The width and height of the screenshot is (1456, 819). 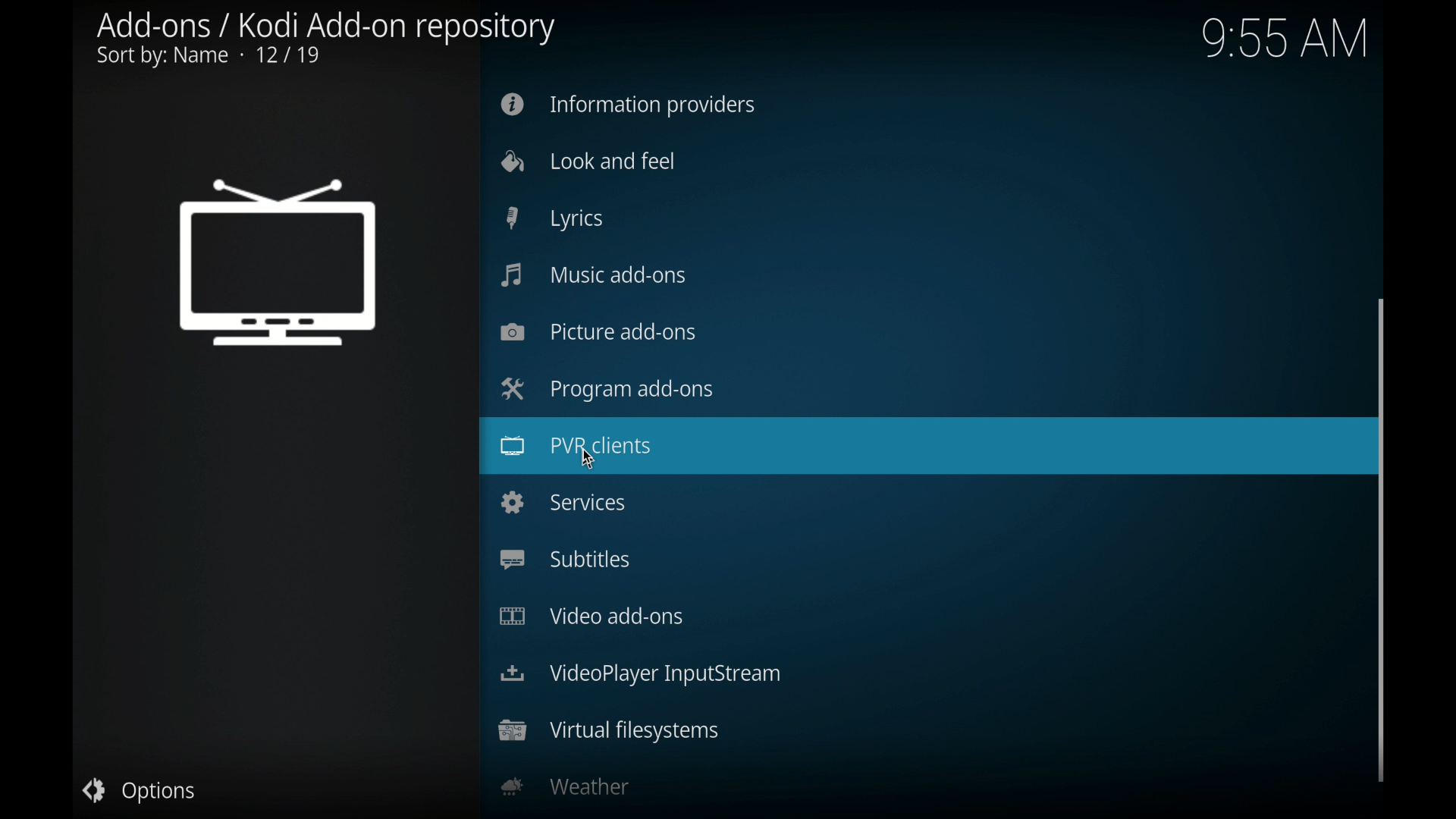 I want to click on program add-ons, so click(x=606, y=389).